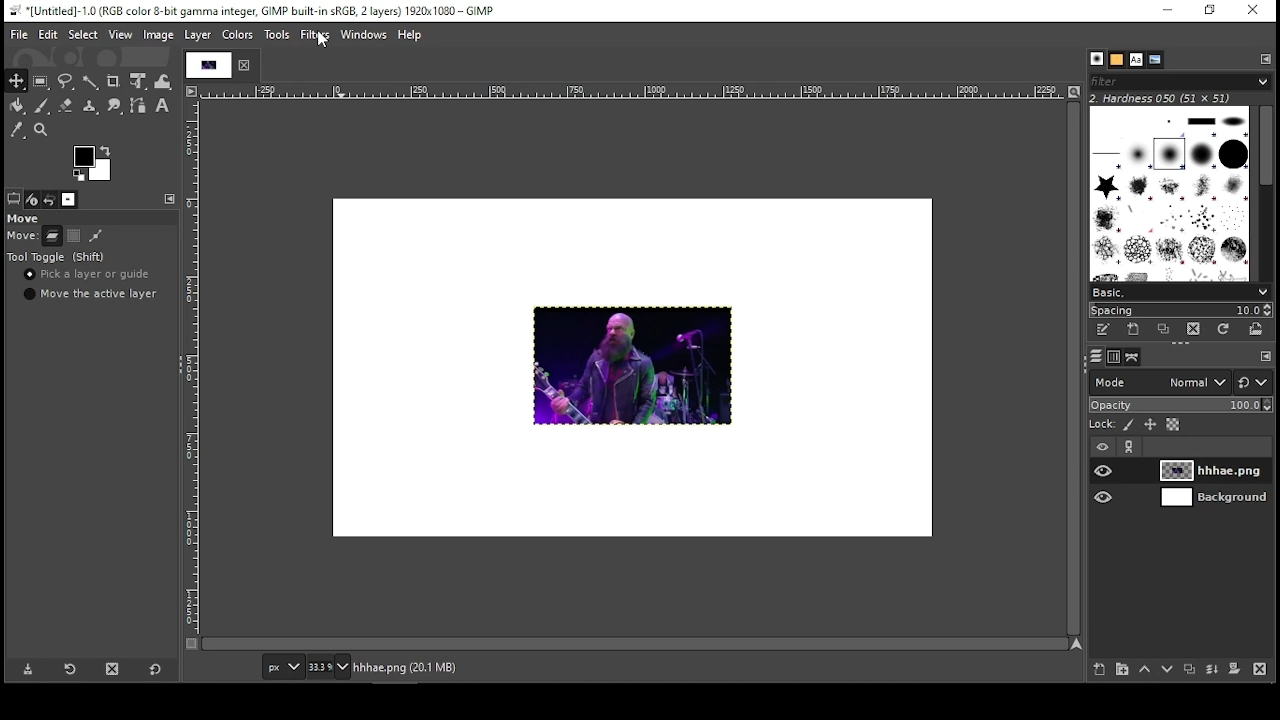  Describe the element at coordinates (17, 131) in the screenshot. I see `color picker tool` at that location.